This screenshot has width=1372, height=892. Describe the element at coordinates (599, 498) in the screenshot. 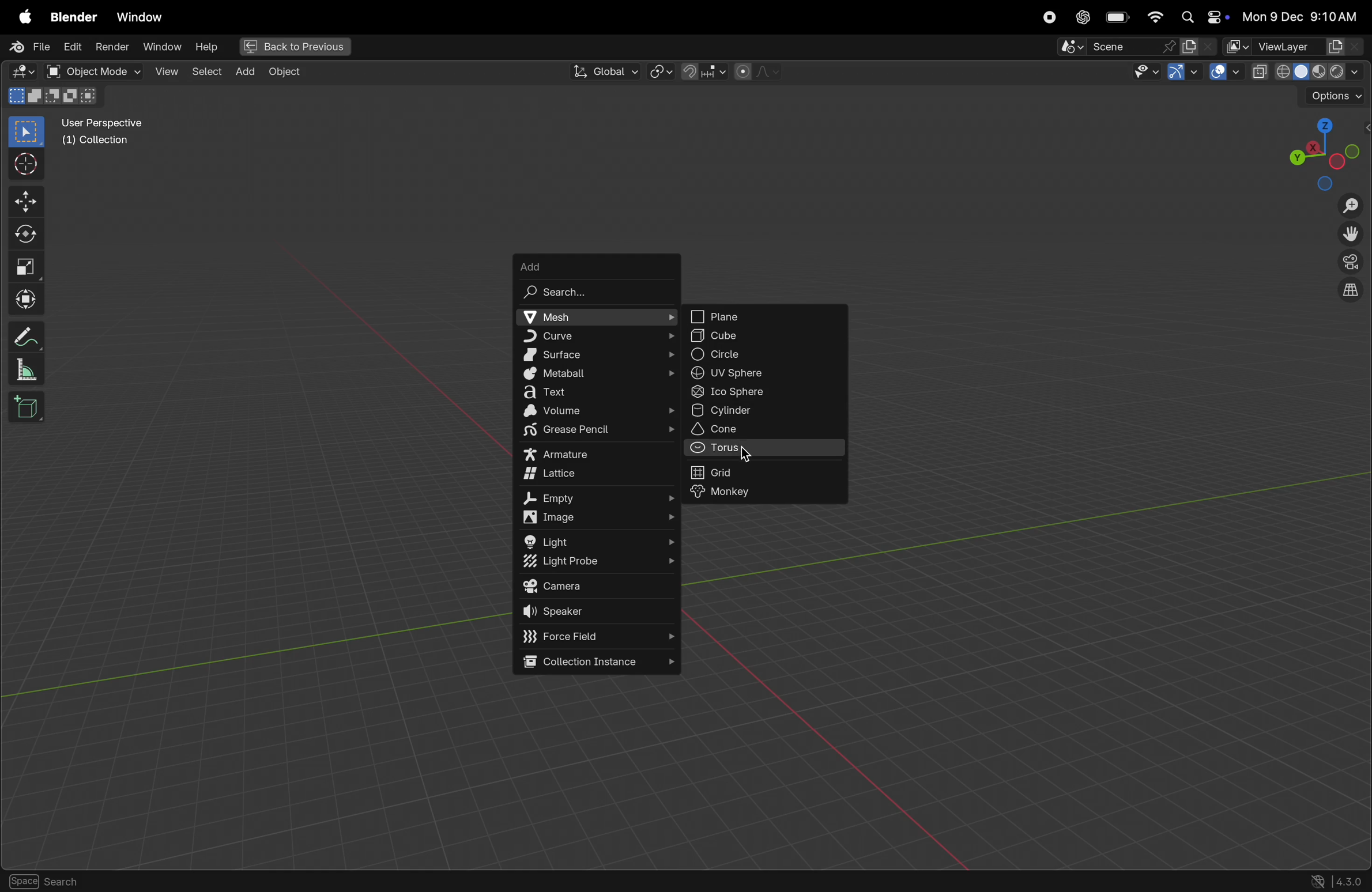

I see `empty` at that location.